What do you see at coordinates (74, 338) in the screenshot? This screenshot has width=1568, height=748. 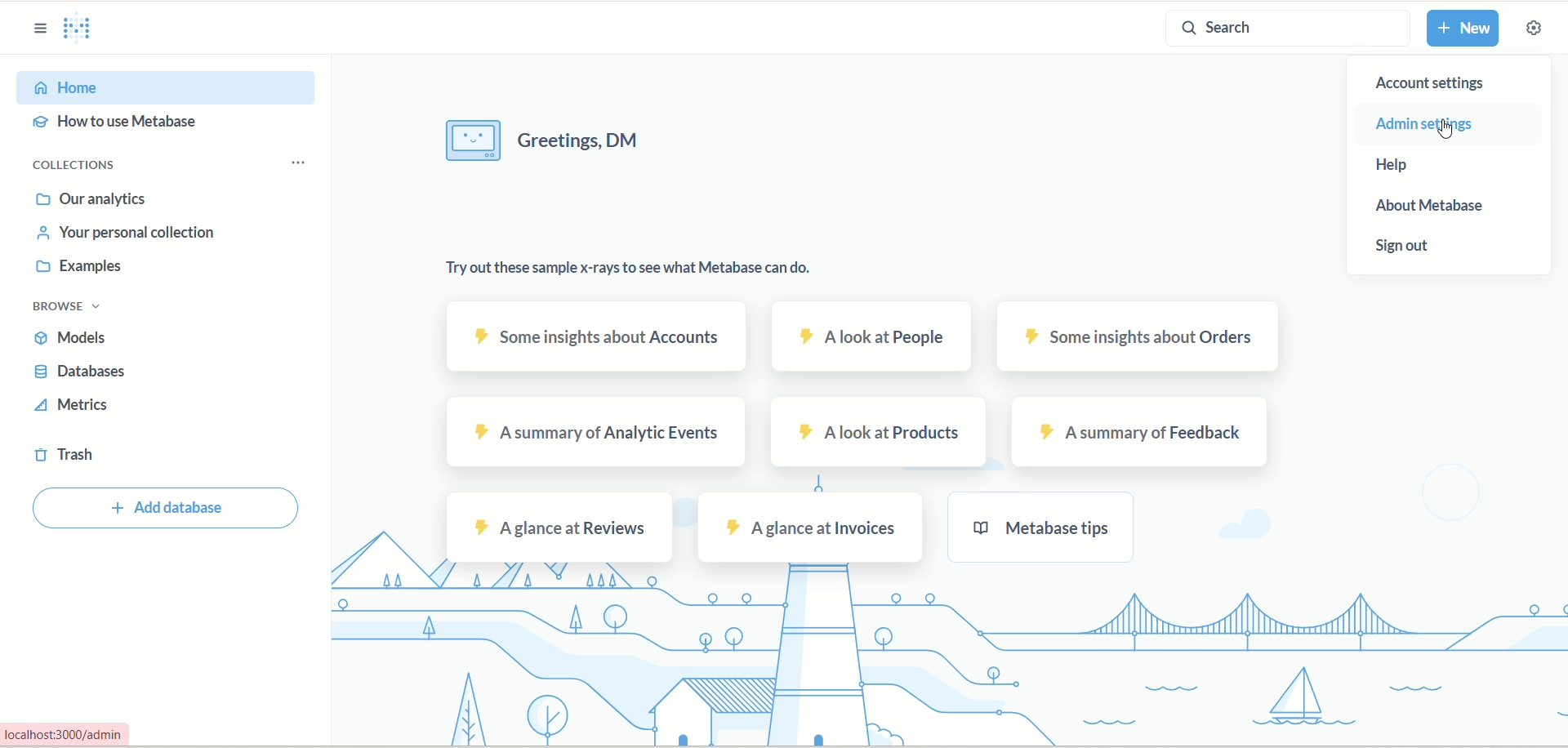 I see `models` at bounding box center [74, 338].